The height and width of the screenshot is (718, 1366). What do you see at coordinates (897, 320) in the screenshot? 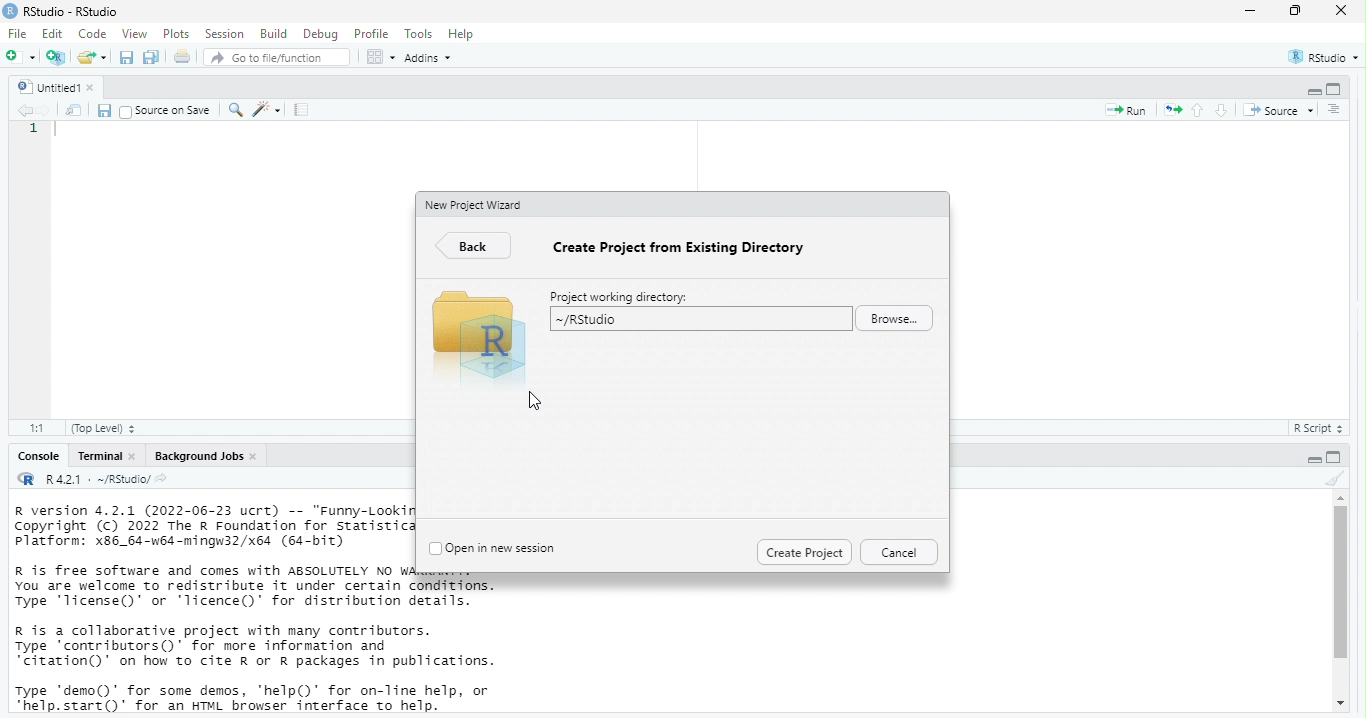
I see `browse` at bounding box center [897, 320].